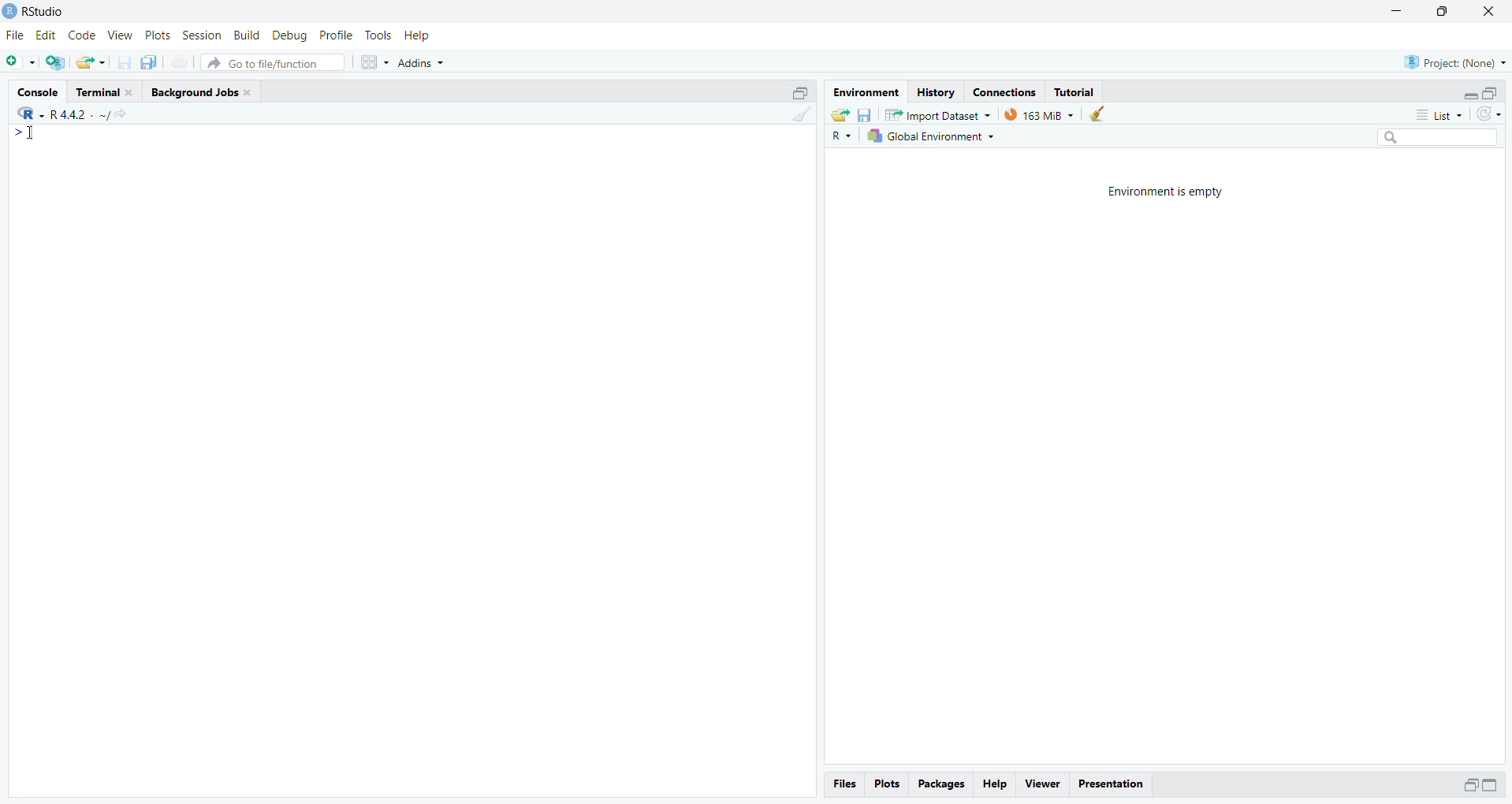 The image size is (1512, 804). Describe the element at coordinates (1167, 192) in the screenshot. I see `Environment is empty` at that location.